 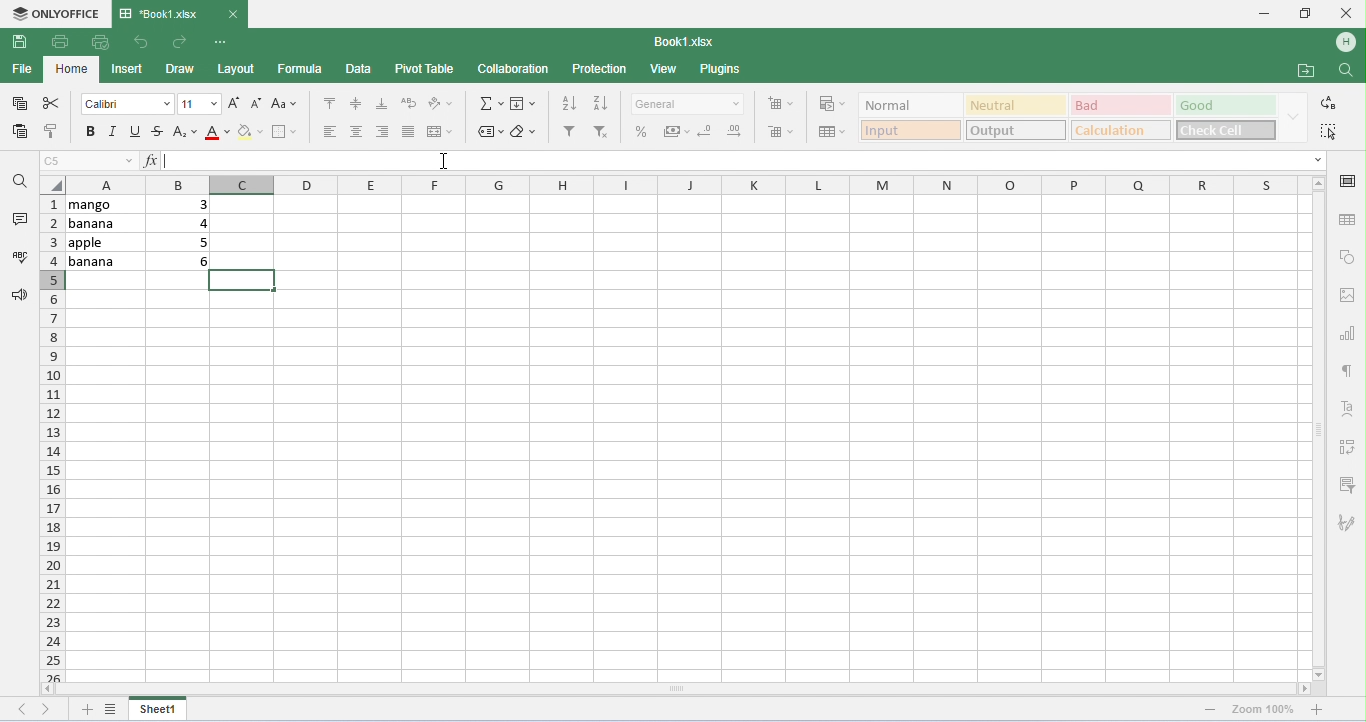 I want to click on minimize, so click(x=1263, y=14).